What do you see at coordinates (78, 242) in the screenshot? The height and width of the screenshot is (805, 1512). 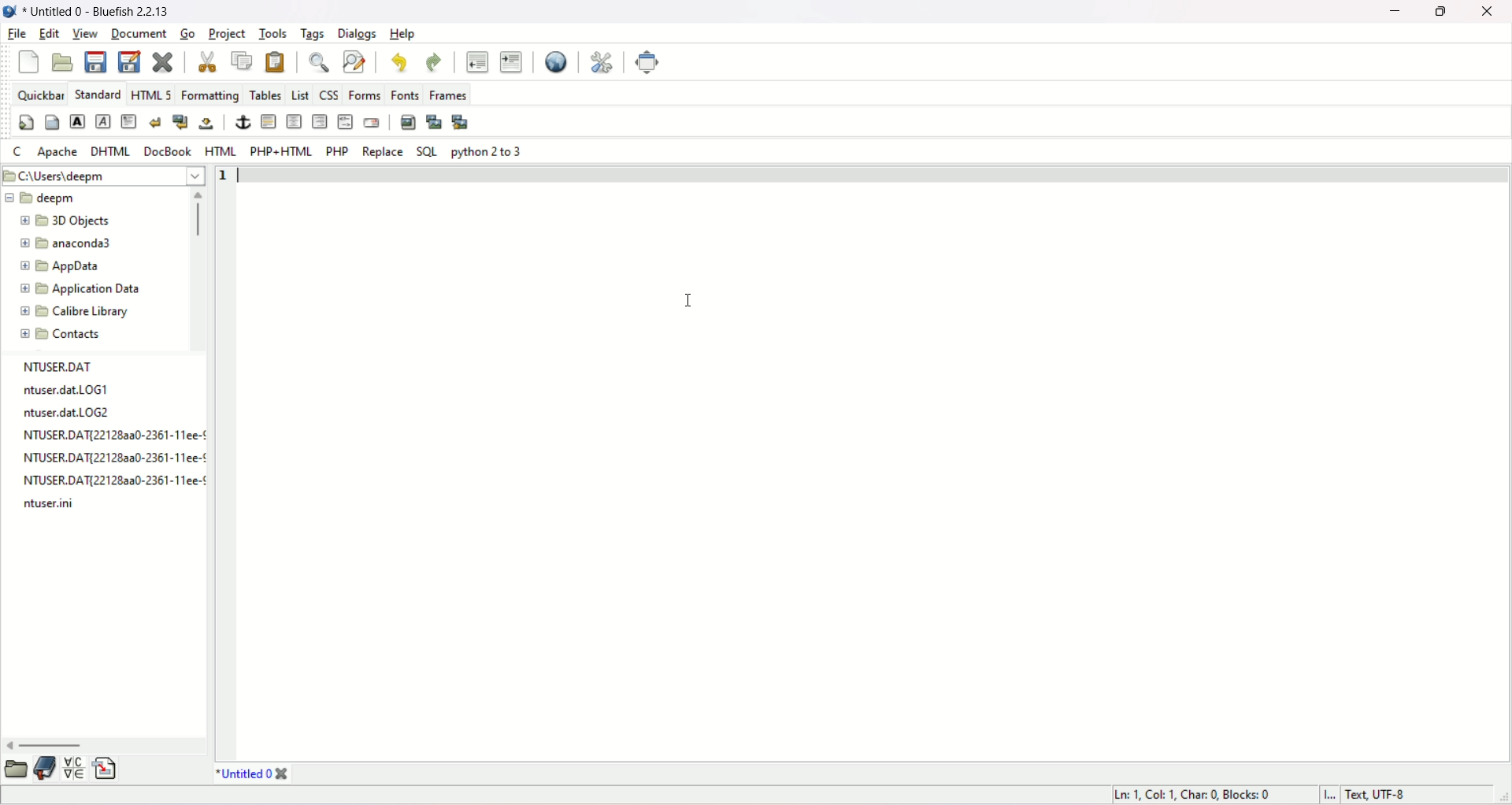 I see `folder name` at bounding box center [78, 242].